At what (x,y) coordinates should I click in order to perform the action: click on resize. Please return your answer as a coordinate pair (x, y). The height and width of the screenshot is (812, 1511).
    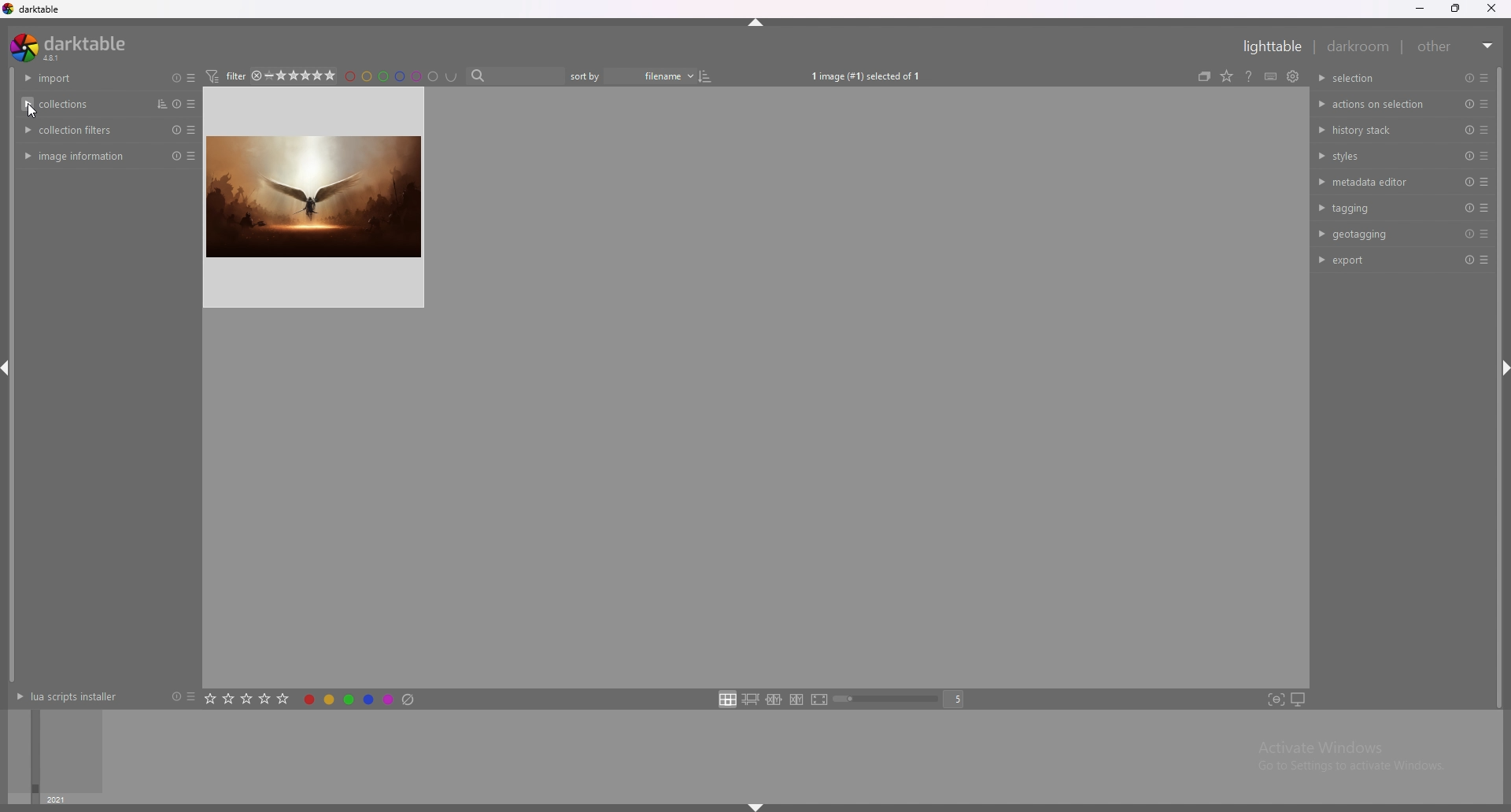
    Looking at the image, I should click on (1458, 9).